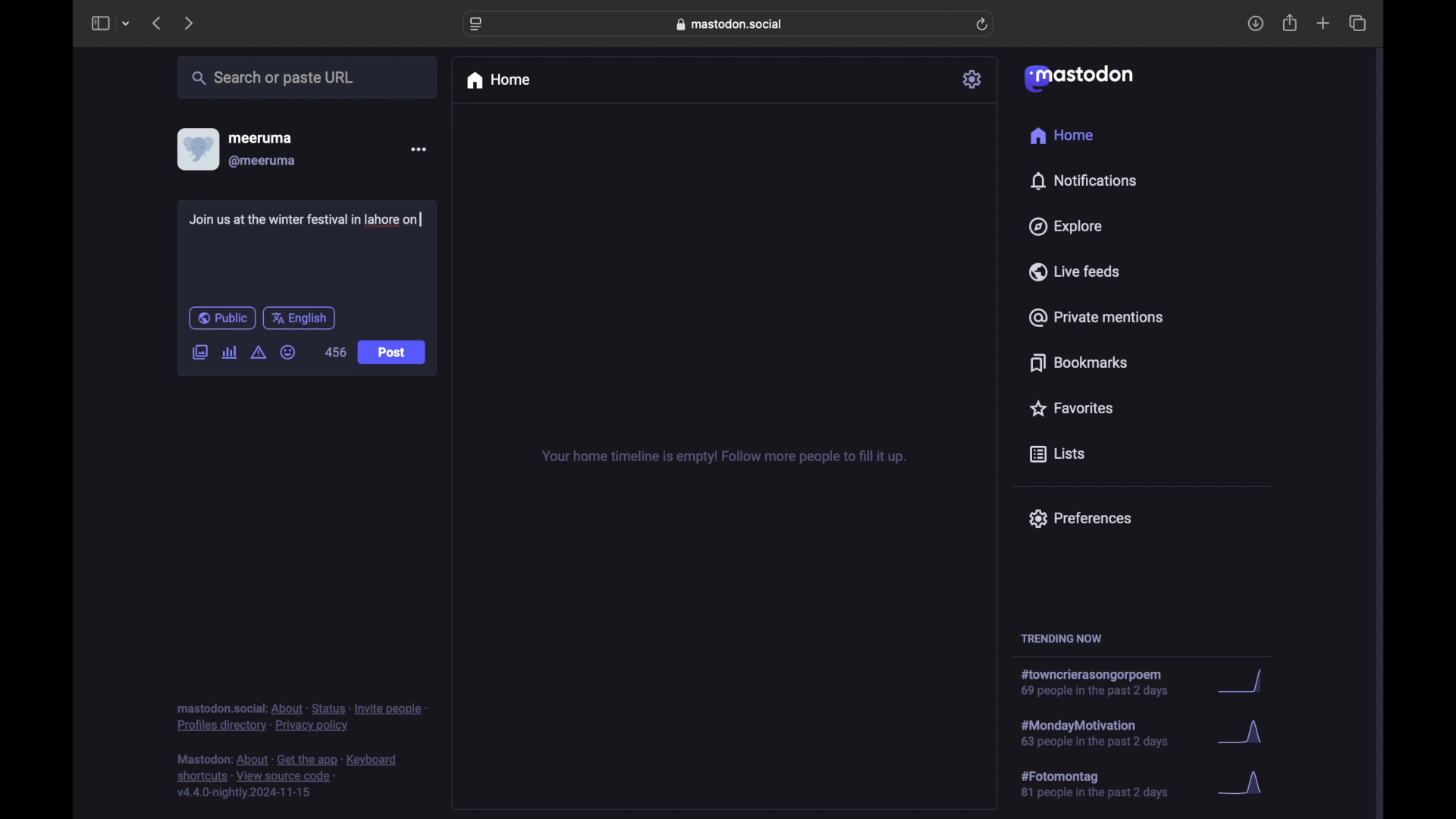 This screenshot has height=819, width=1456. Describe the element at coordinates (733, 24) in the screenshot. I see `web address` at that location.